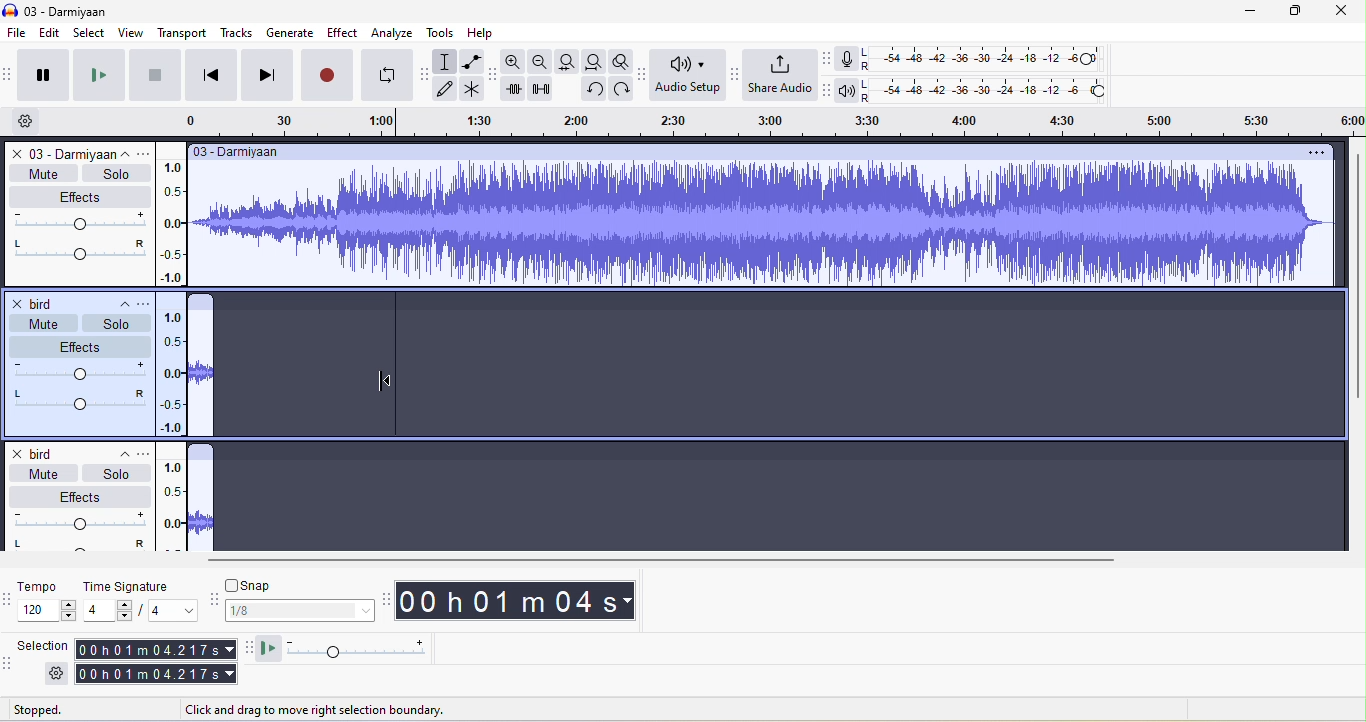 Image resolution: width=1366 pixels, height=722 pixels. What do you see at coordinates (145, 452) in the screenshot?
I see `open menu` at bounding box center [145, 452].